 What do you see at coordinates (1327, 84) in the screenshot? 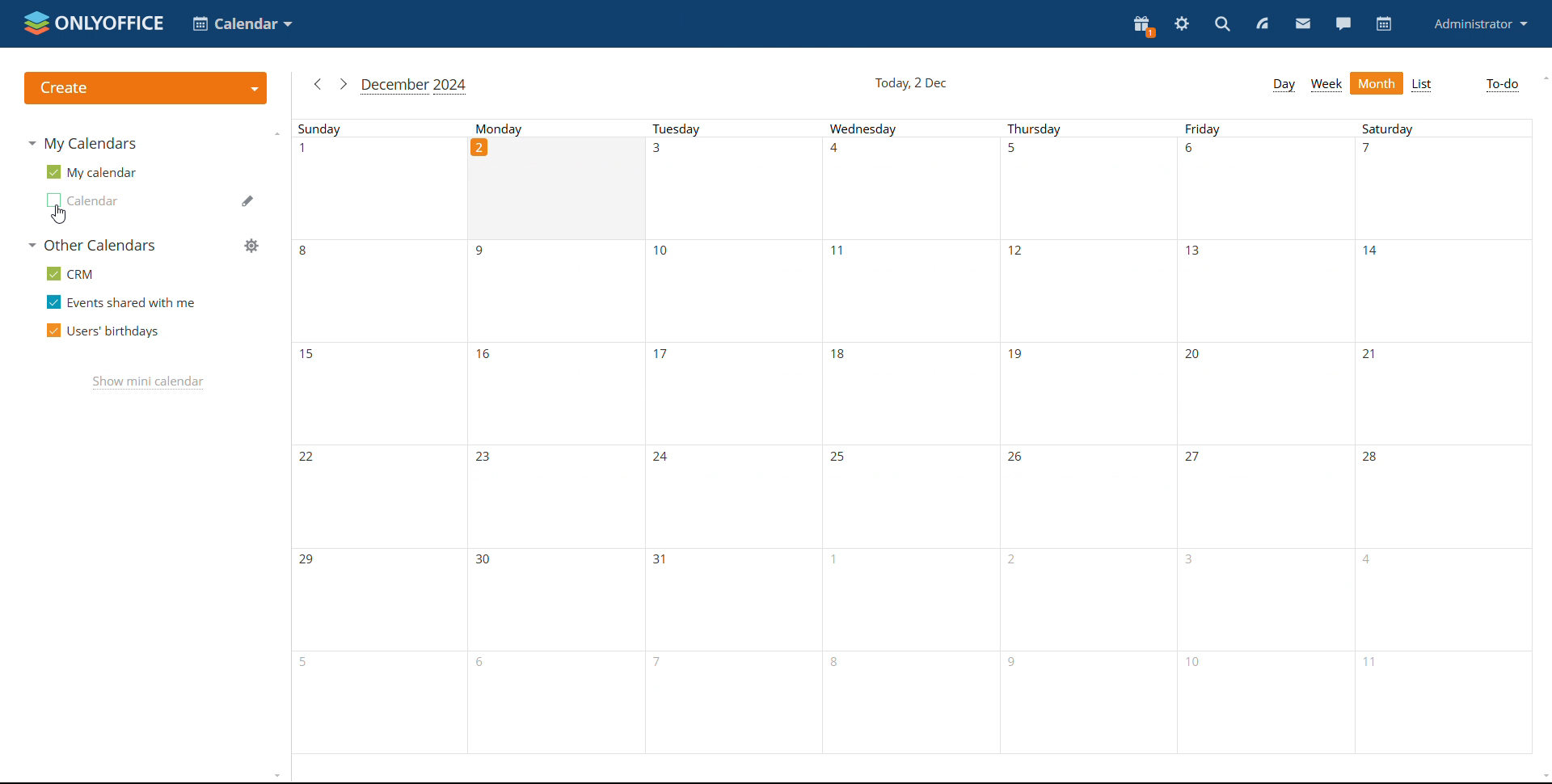
I see `week view` at bounding box center [1327, 84].